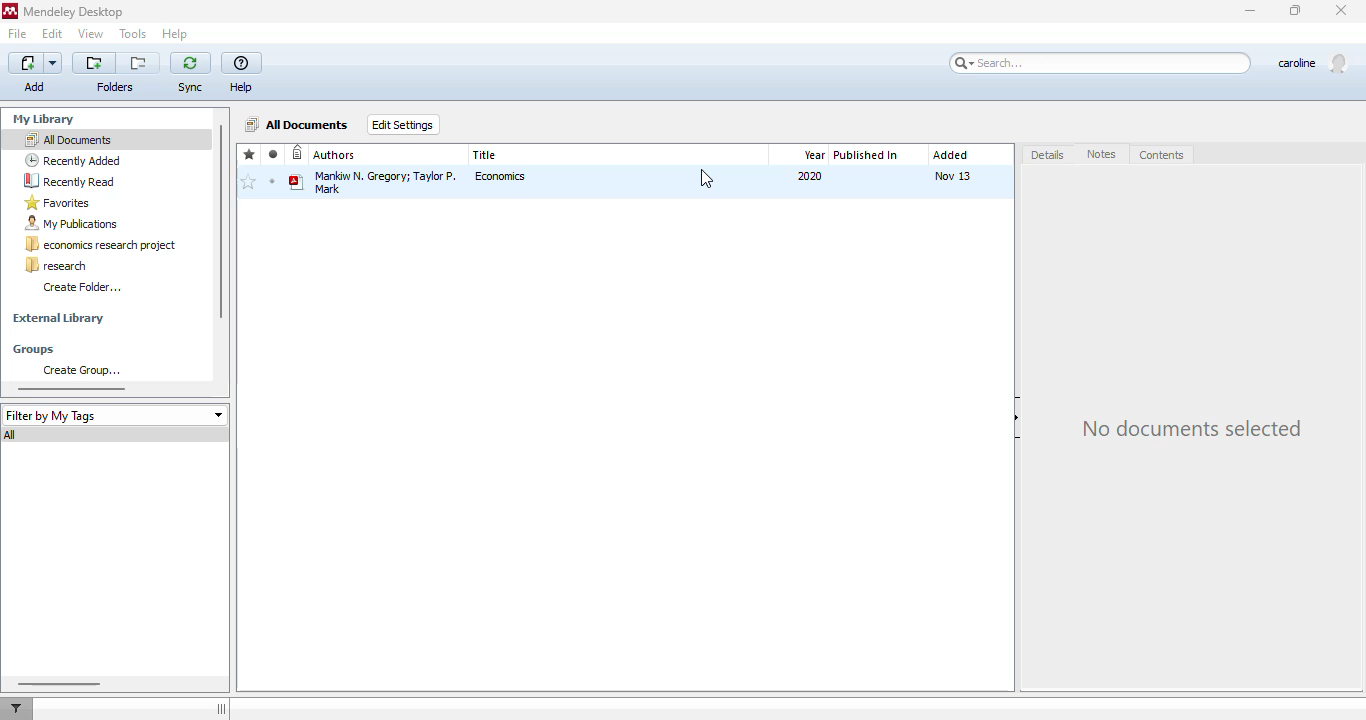  Describe the element at coordinates (58, 319) in the screenshot. I see `external library` at that location.